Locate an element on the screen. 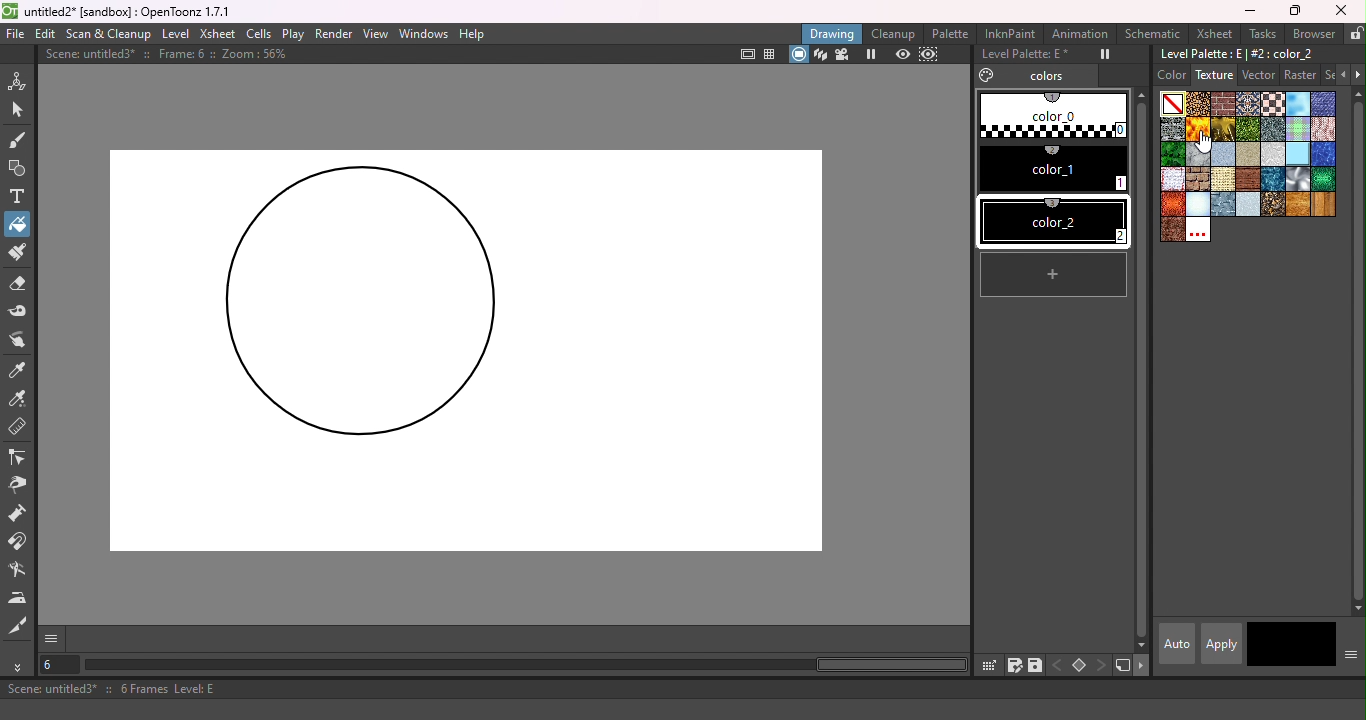  click & drag palette into studio palette is located at coordinates (988, 665).